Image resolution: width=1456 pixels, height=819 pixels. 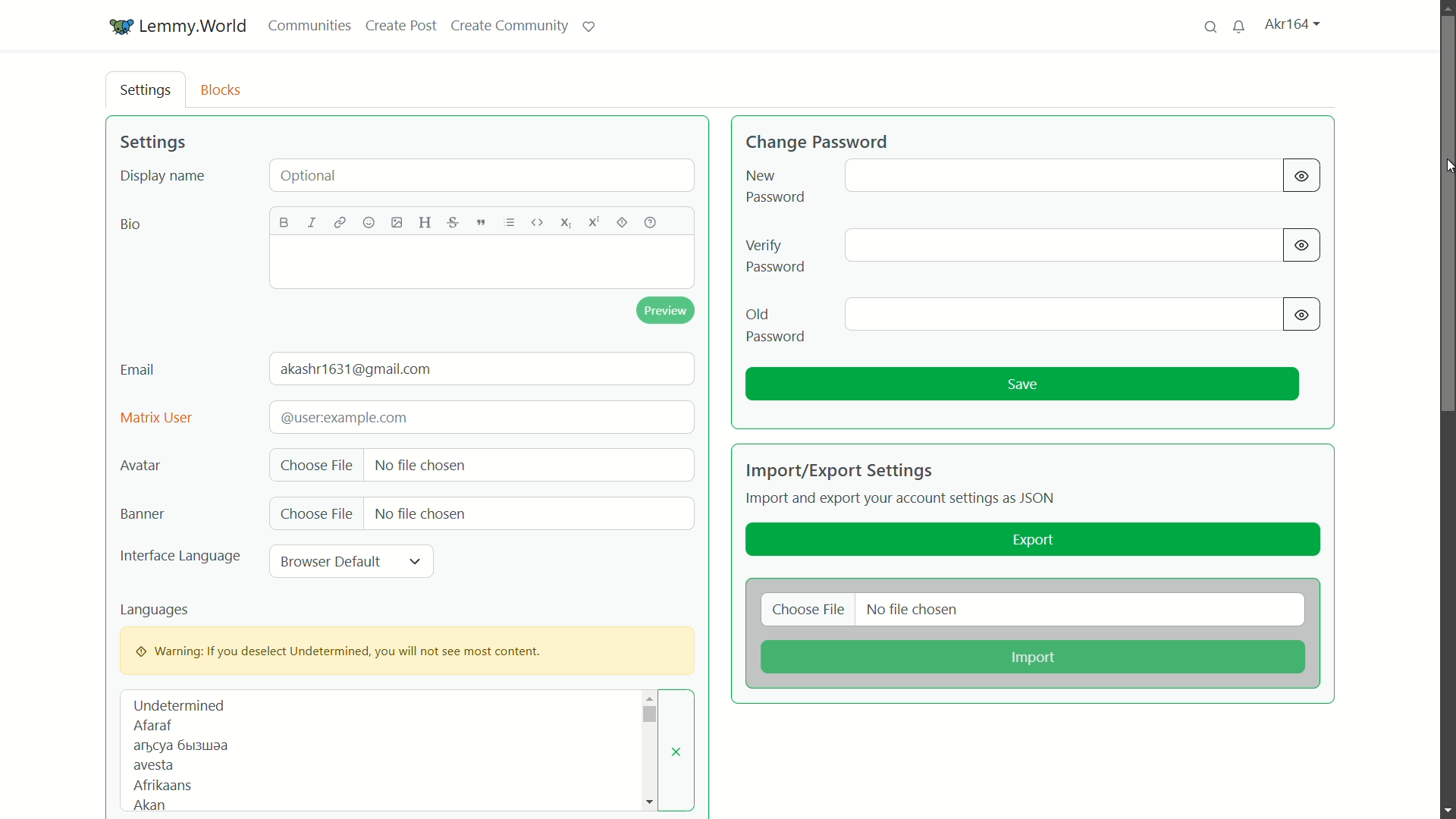 What do you see at coordinates (591, 224) in the screenshot?
I see `superscript` at bounding box center [591, 224].